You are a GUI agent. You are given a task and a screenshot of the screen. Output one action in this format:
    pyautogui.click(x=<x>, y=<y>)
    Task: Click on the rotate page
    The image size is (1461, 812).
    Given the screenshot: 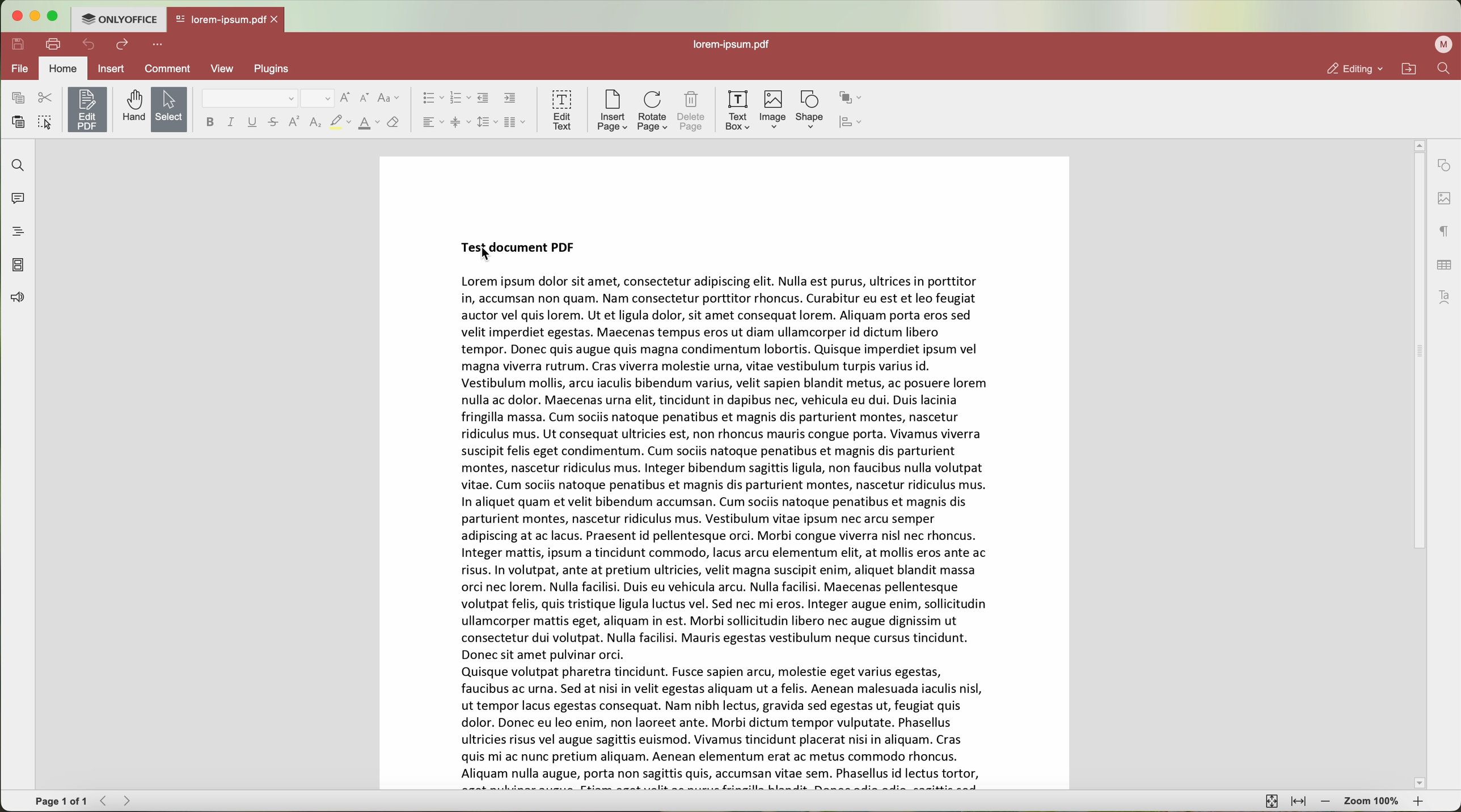 What is the action you would take?
    pyautogui.click(x=652, y=112)
    